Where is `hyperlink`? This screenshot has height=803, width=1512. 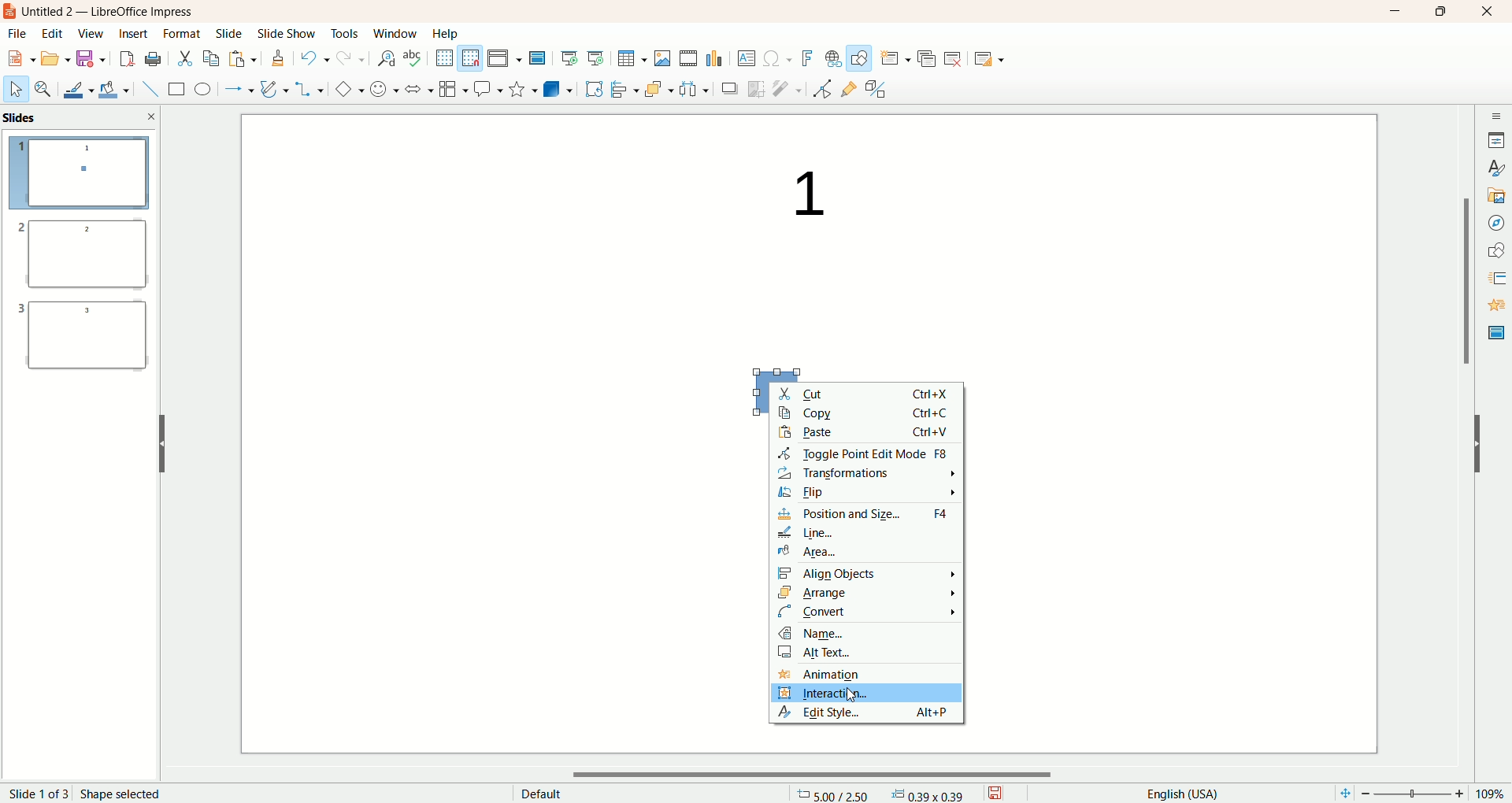
hyperlink is located at coordinates (830, 59).